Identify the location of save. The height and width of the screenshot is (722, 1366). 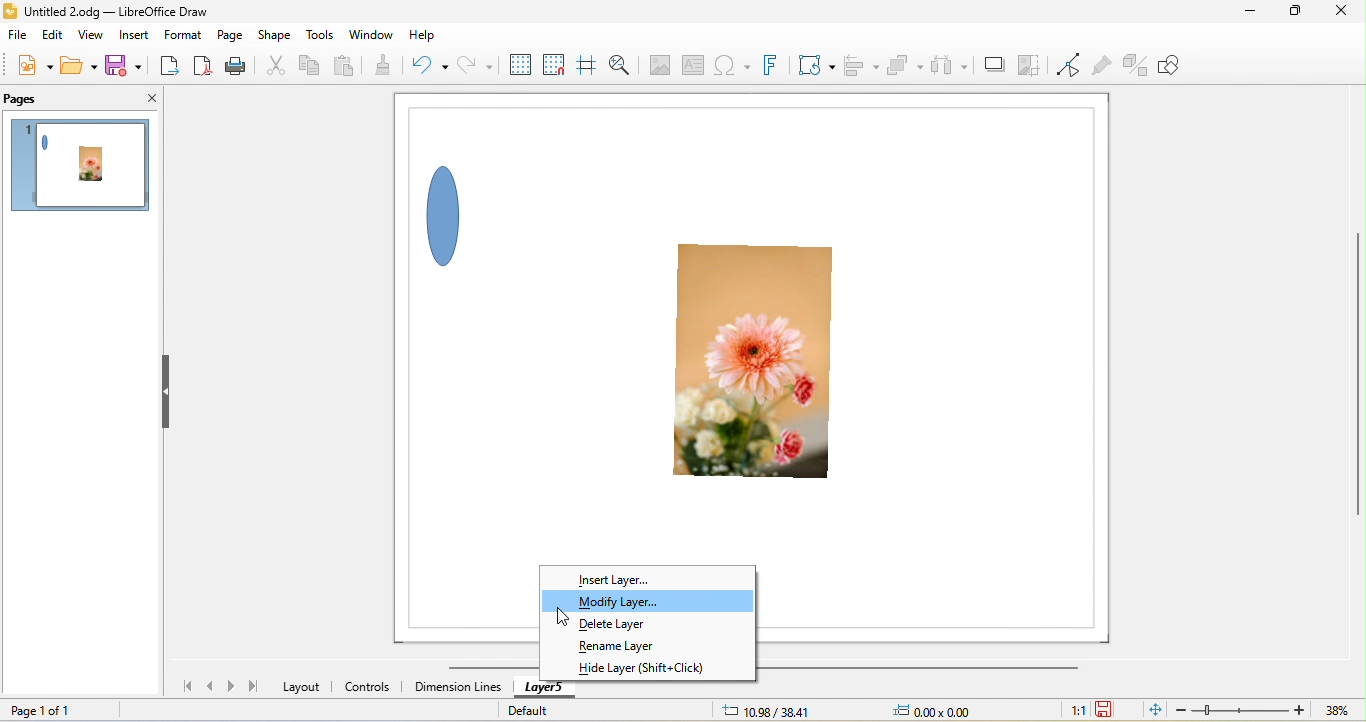
(121, 65).